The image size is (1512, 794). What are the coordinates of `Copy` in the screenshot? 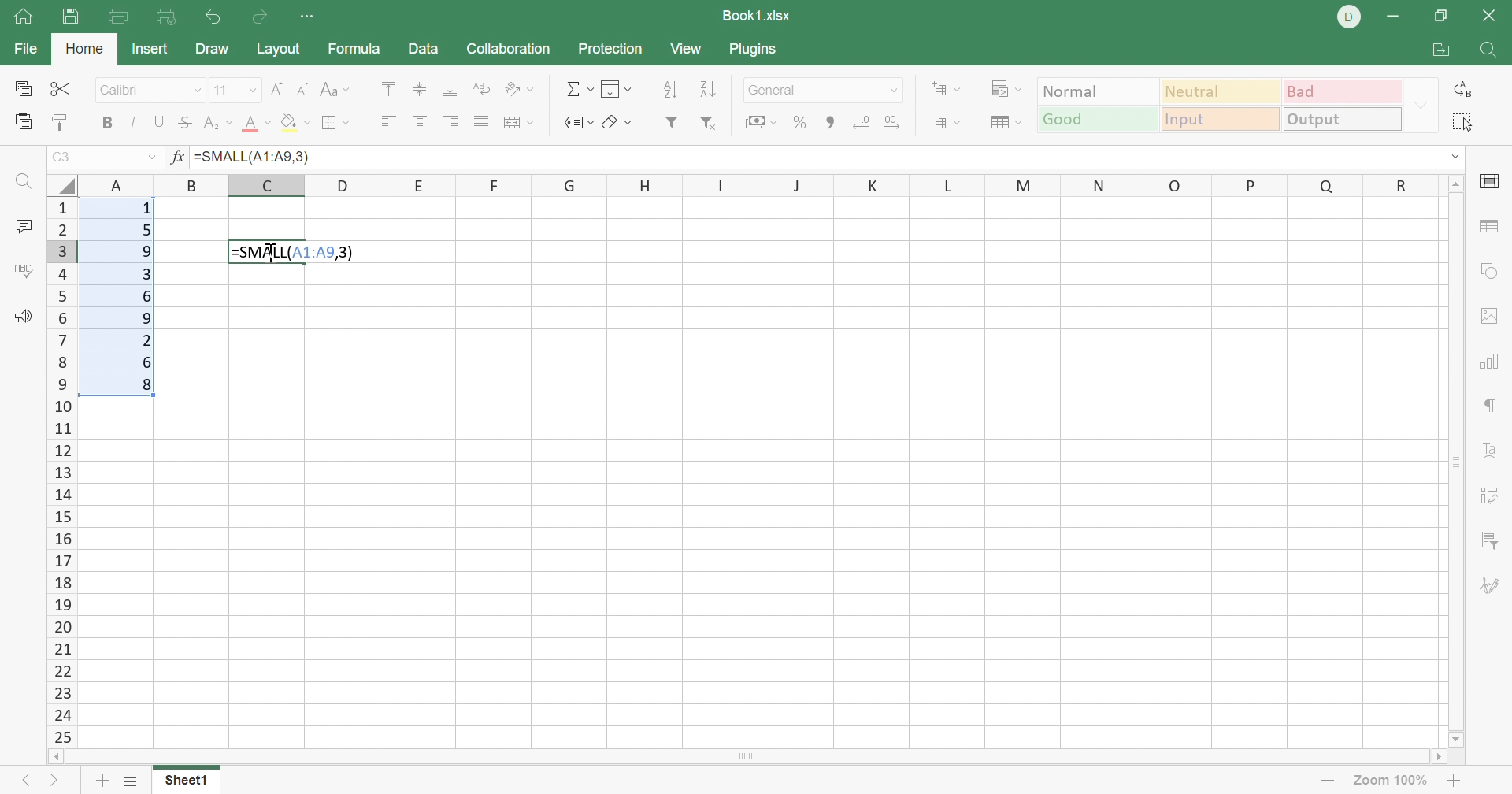 It's located at (27, 88).